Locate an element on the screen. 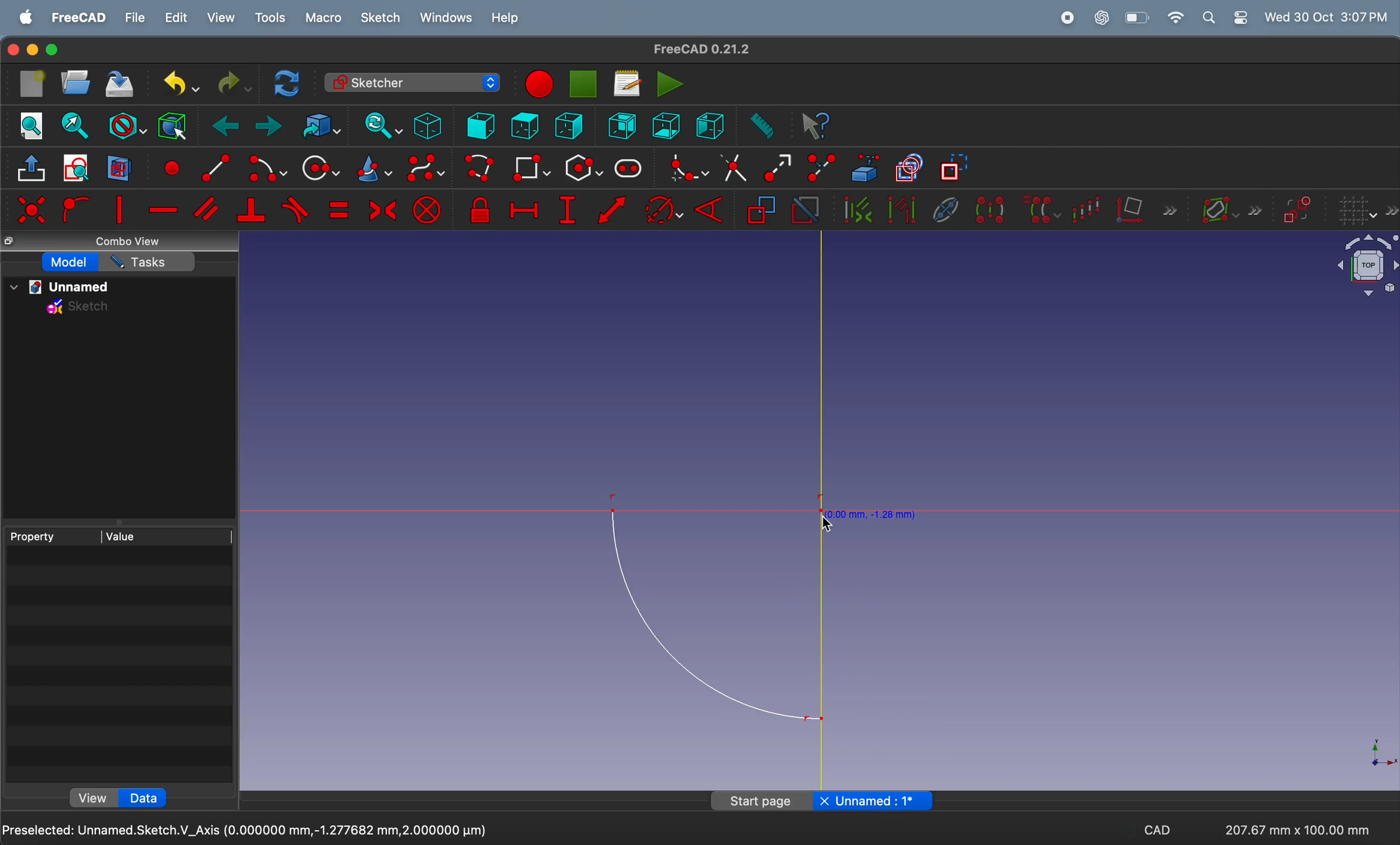 Image resolution: width=1400 pixels, height=845 pixels. tools is located at coordinates (273, 18).